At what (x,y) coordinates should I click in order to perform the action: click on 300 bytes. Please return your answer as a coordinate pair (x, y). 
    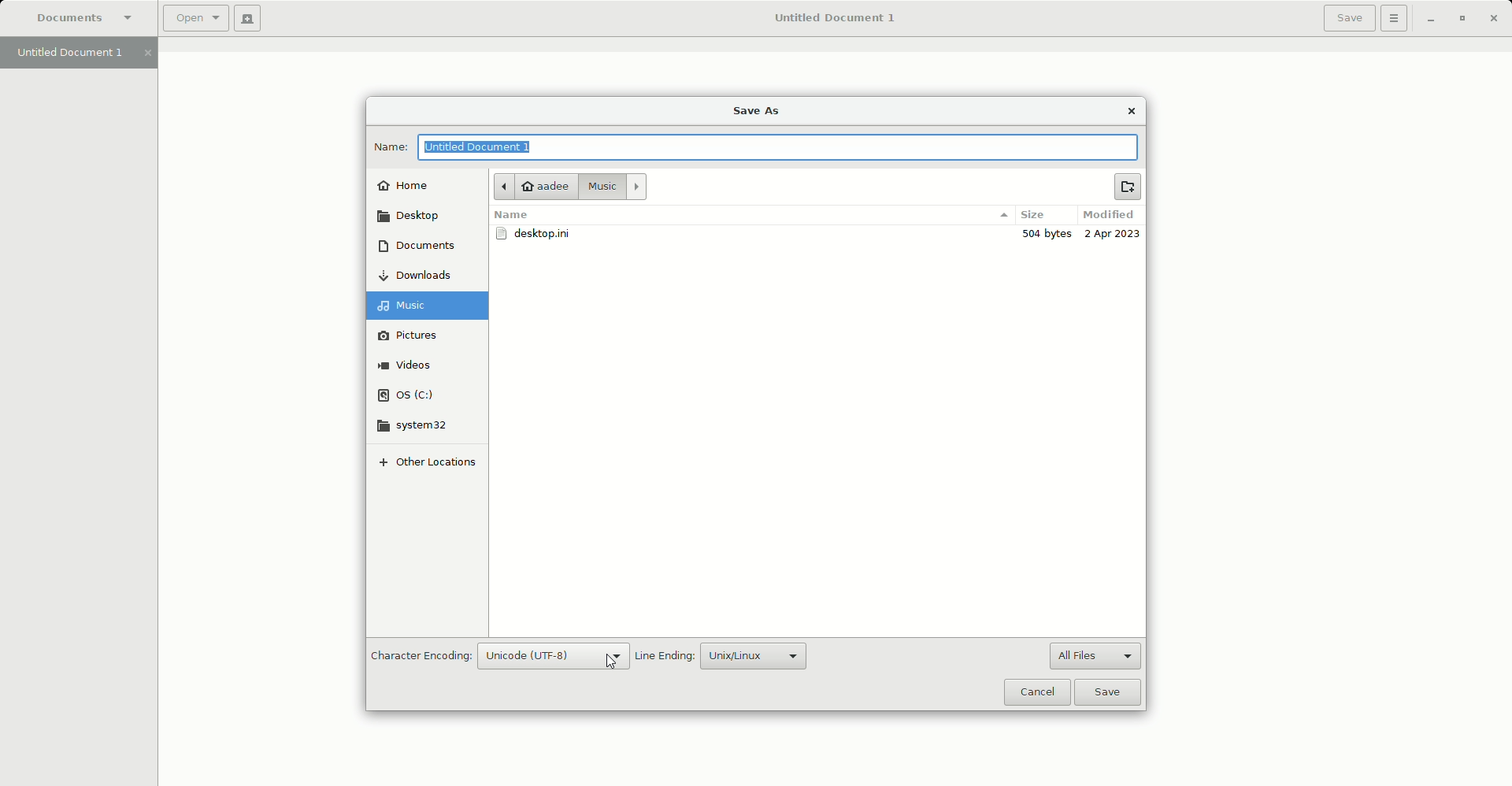
    Looking at the image, I should click on (1044, 235).